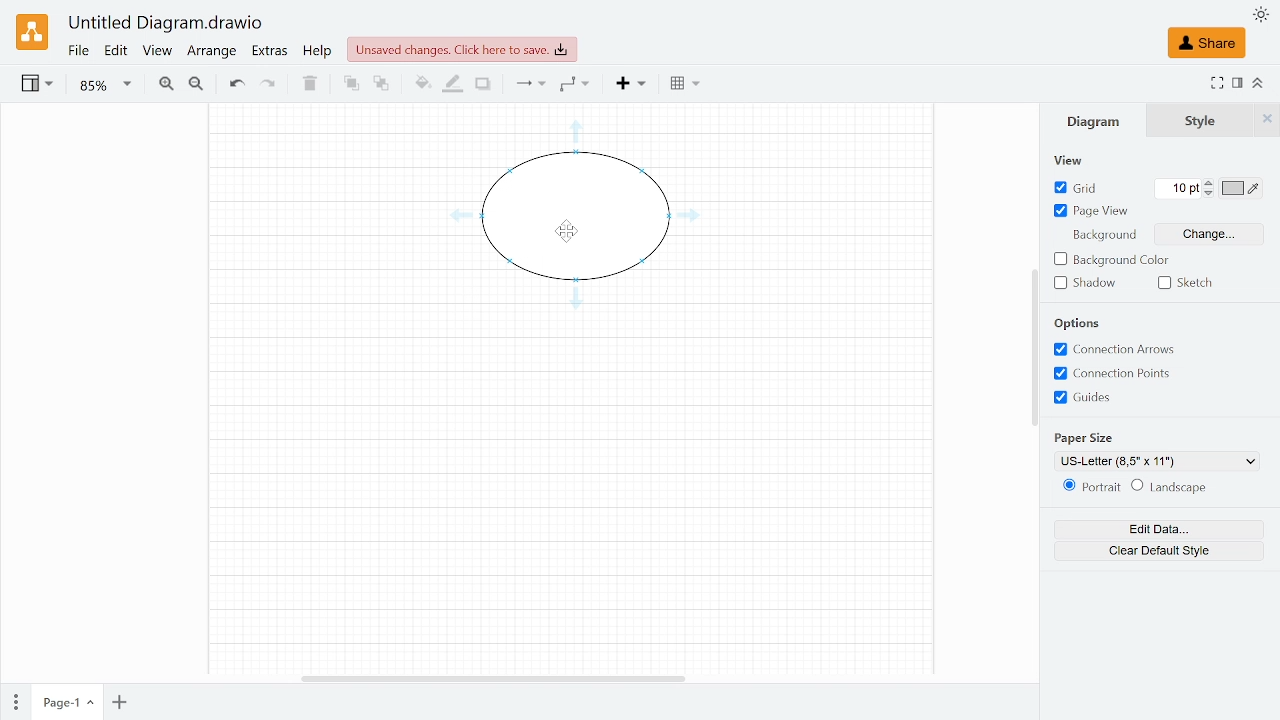 Image resolution: width=1280 pixels, height=720 pixels. Describe the element at coordinates (122, 703) in the screenshot. I see `Add page` at that location.